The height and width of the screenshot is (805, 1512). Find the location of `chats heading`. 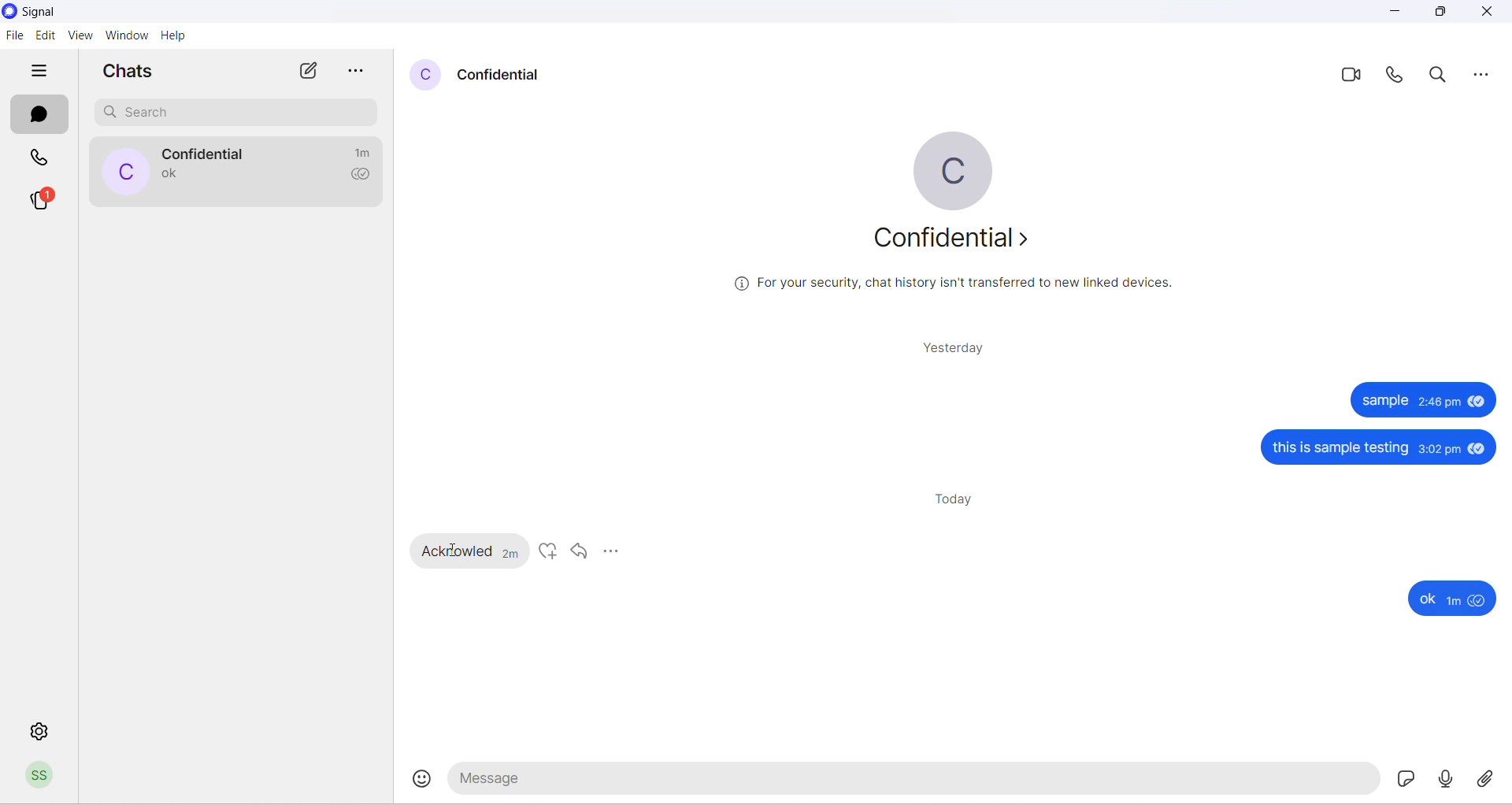

chats heading is located at coordinates (133, 72).